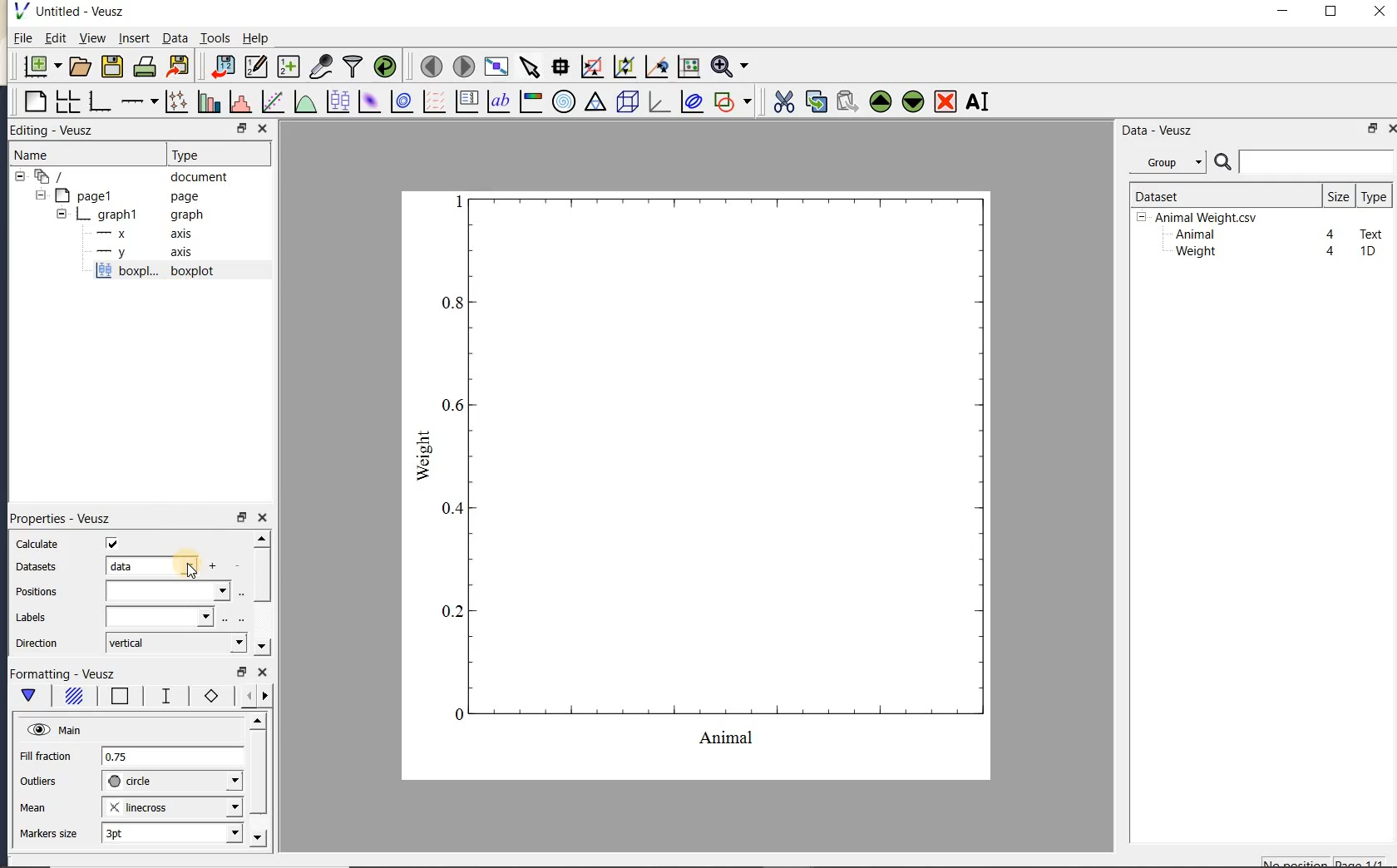 Image resolution: width=1397 pixels, height=868 pixels. I want to click on data, so click(150, 565).